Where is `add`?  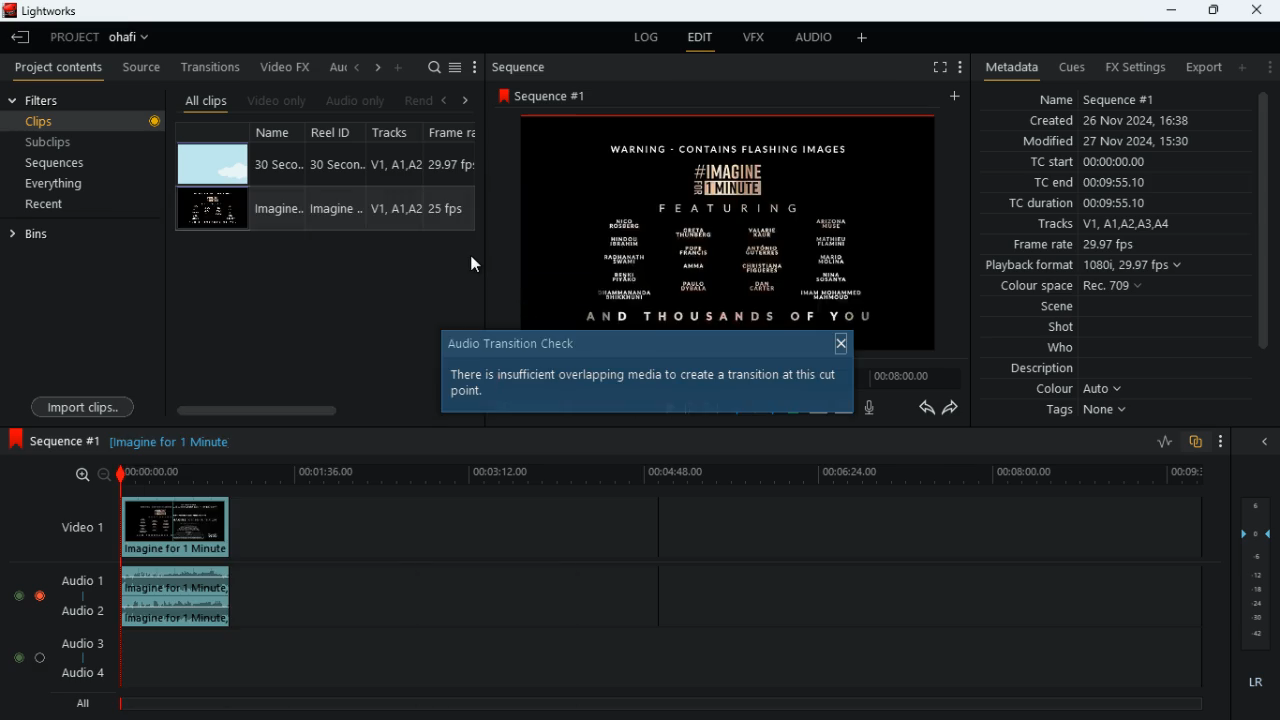
add is located at coordinates (400, 66).